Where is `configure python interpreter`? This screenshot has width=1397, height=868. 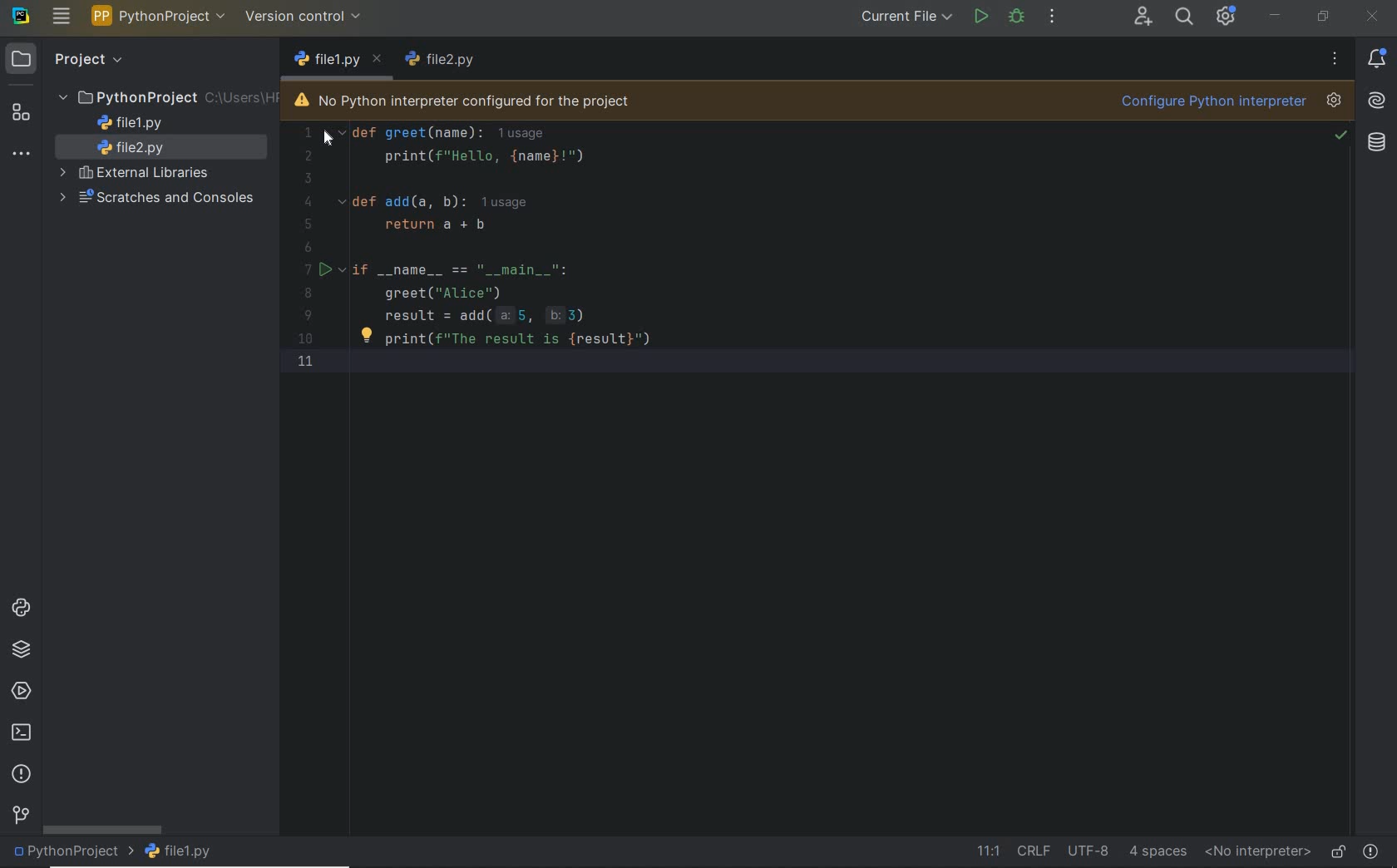
configure python interpreter is located at coordinates (1230, 102).